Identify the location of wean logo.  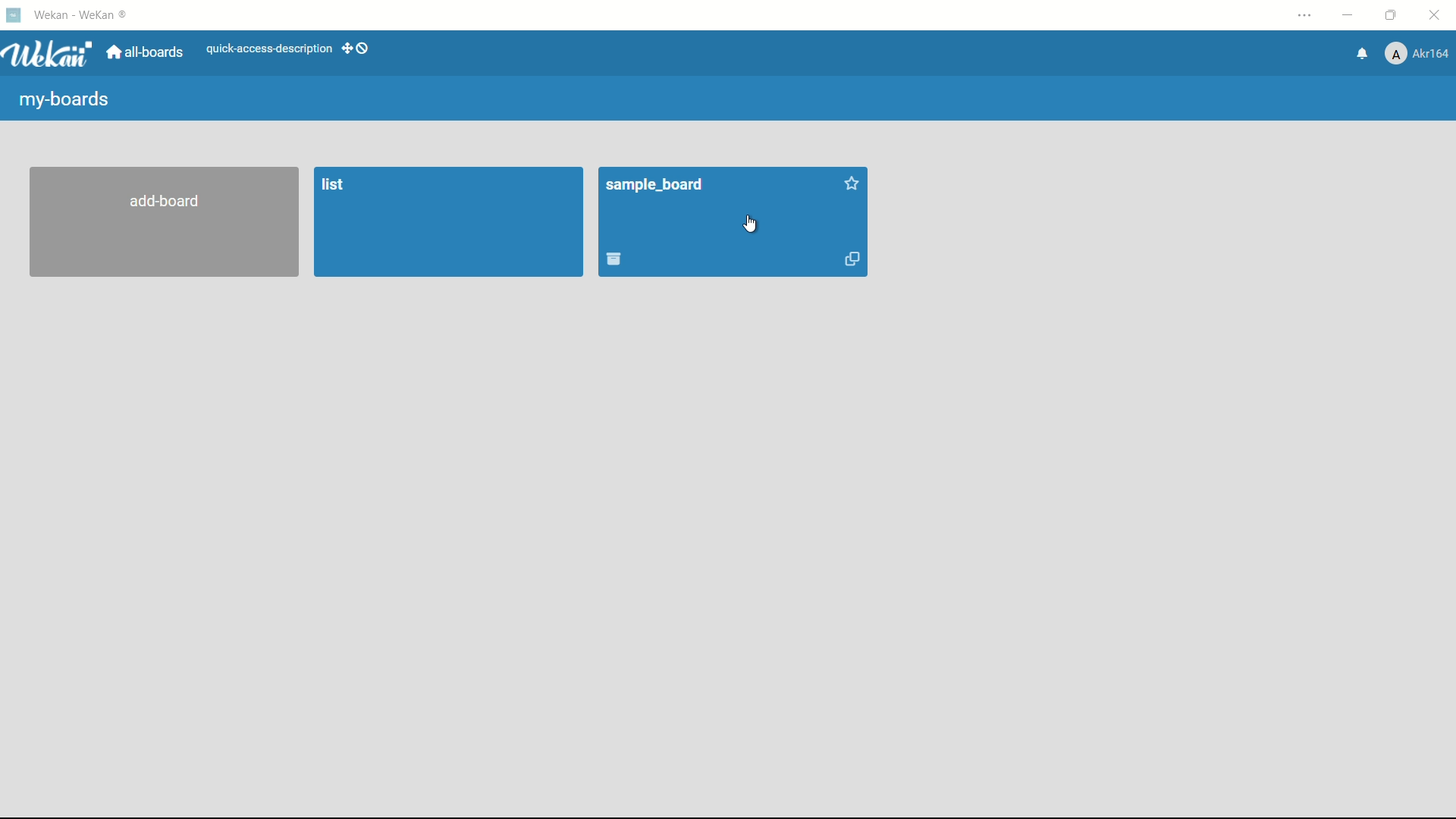
(49, 55).